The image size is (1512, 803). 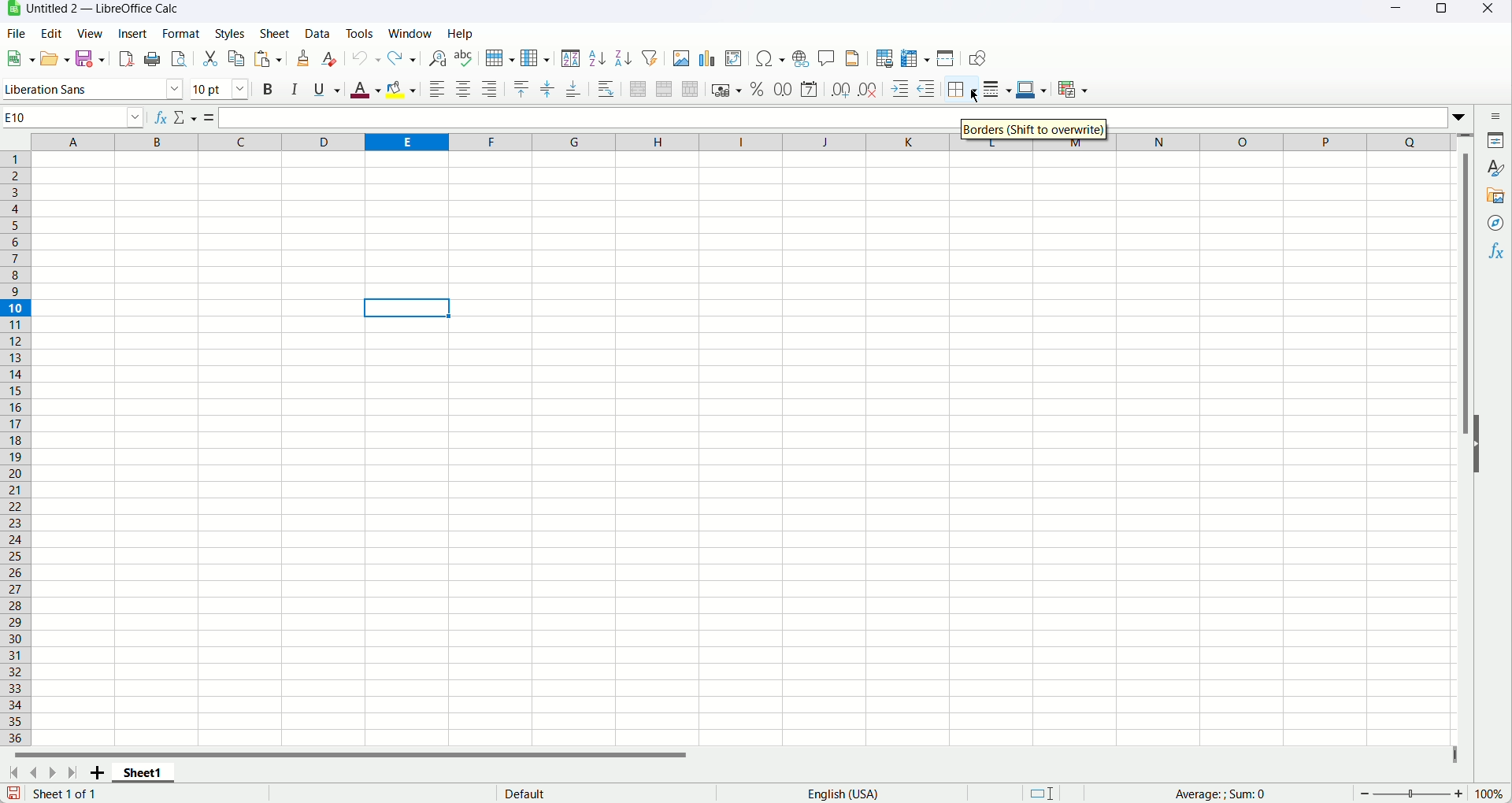 I want to click on Clone formatting, so click(x=304, y=57).